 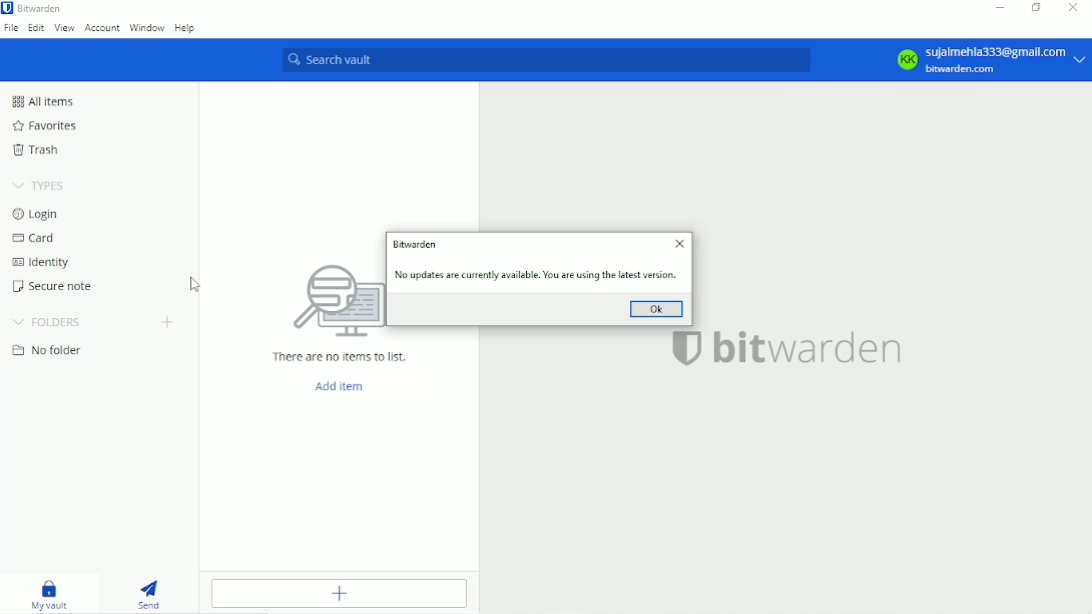 I want to click on Send, so click(x=154, y=591).